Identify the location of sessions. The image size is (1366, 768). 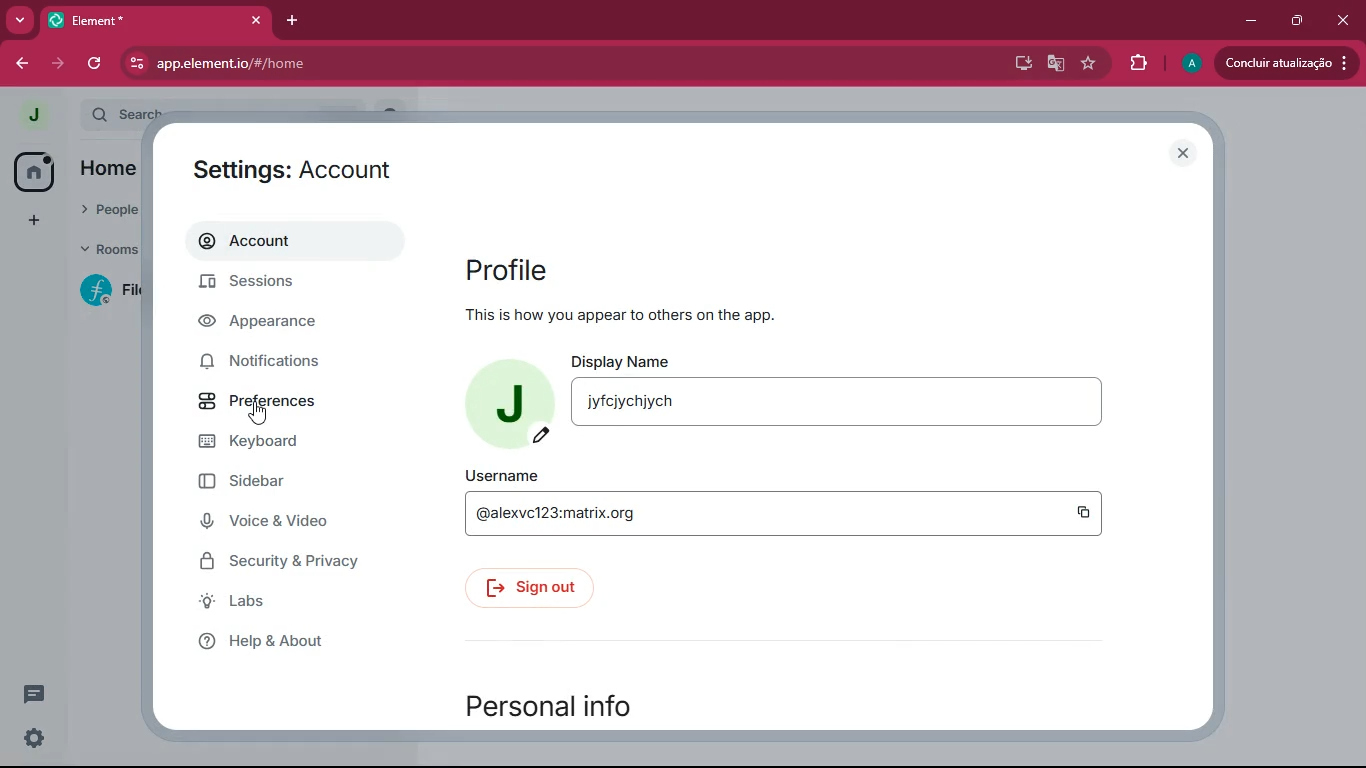
(284, 284).